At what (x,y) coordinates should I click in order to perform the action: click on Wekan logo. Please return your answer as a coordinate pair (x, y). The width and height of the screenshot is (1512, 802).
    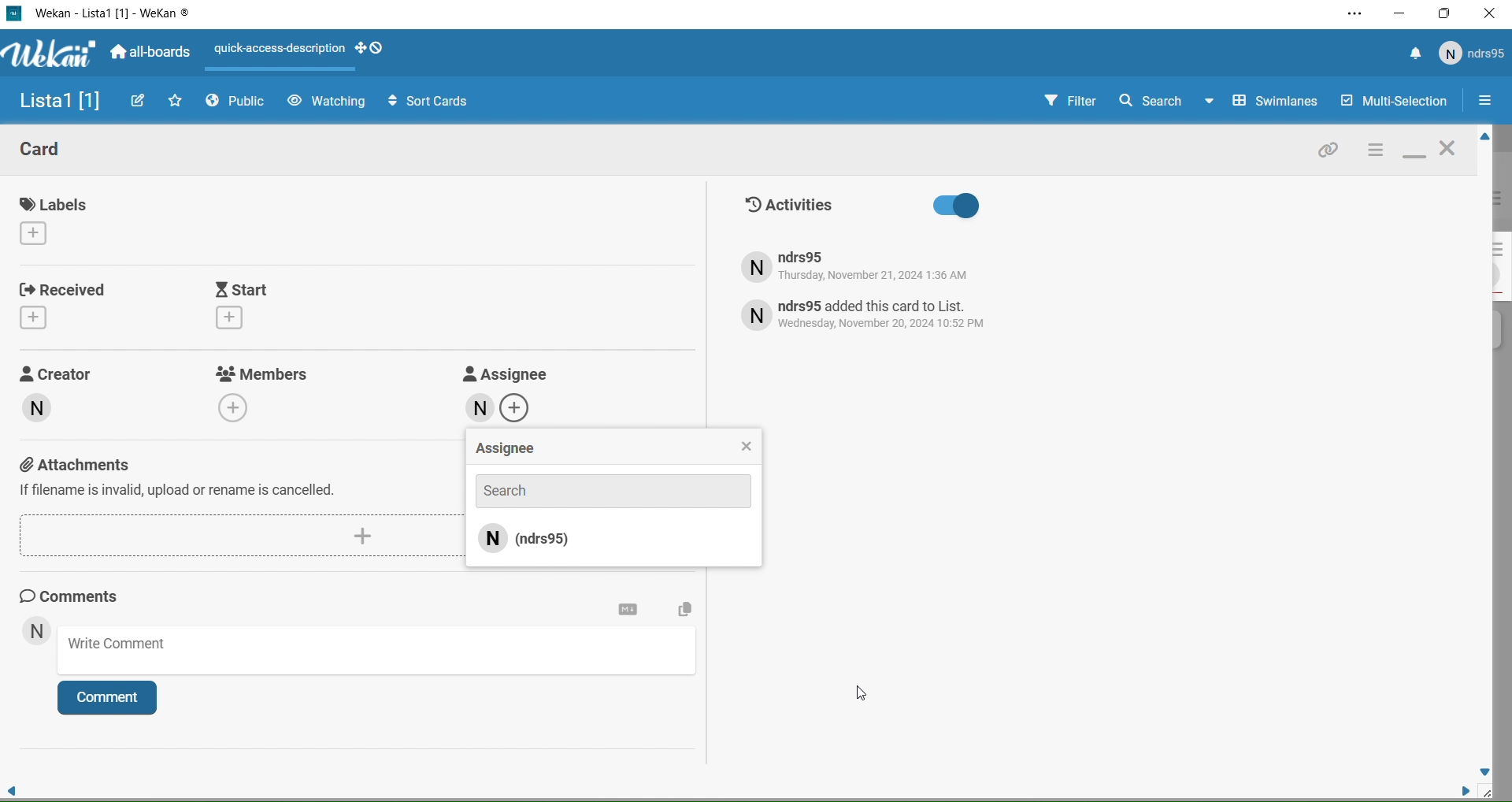
    Looking at the image, I should click on (46, 55).